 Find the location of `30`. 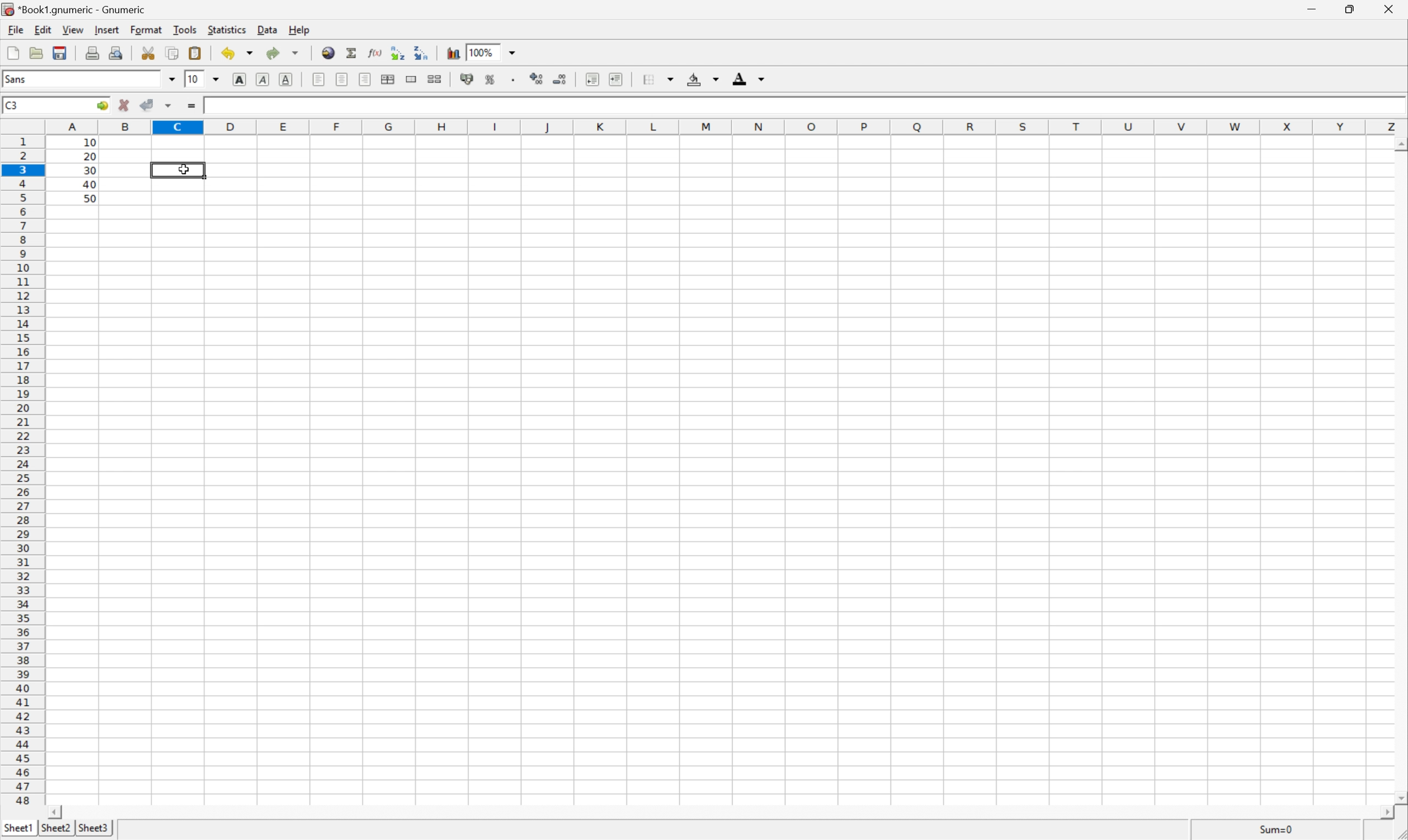

30 is located at coordinates (90, 170).